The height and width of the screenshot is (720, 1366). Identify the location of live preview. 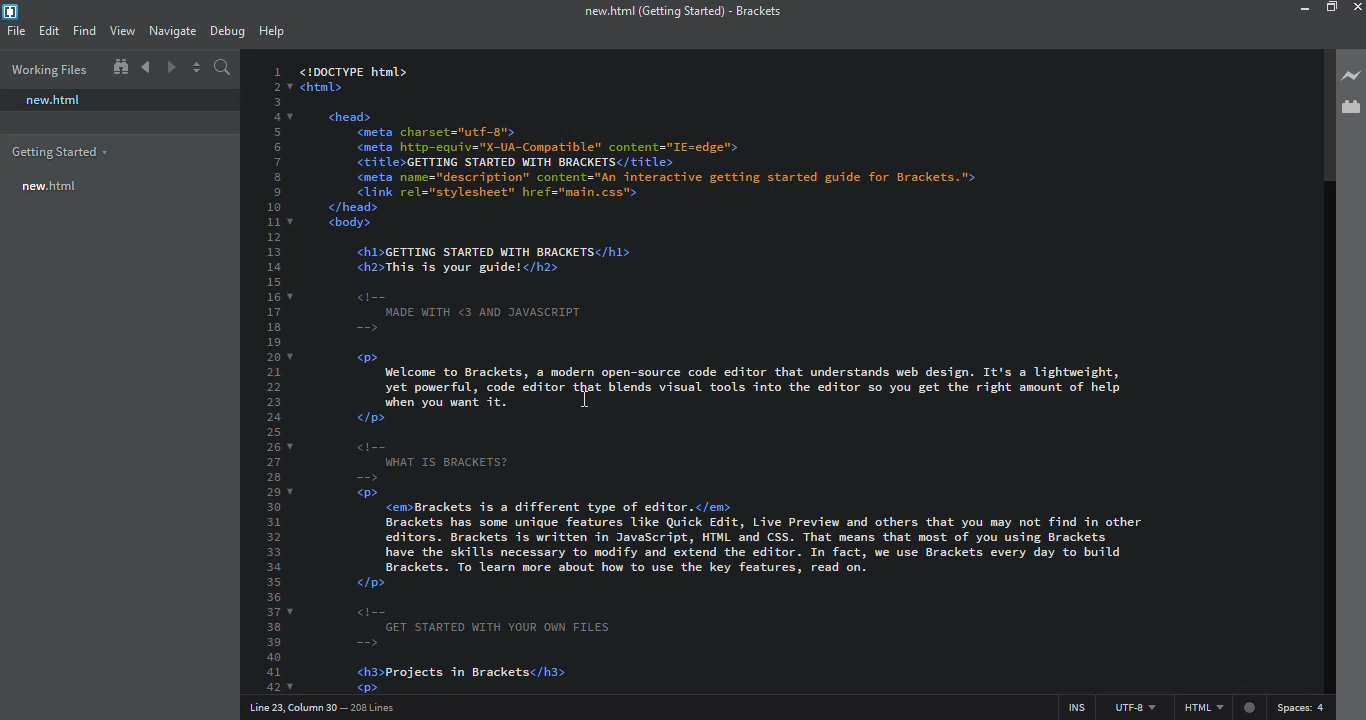
(1352, 74).